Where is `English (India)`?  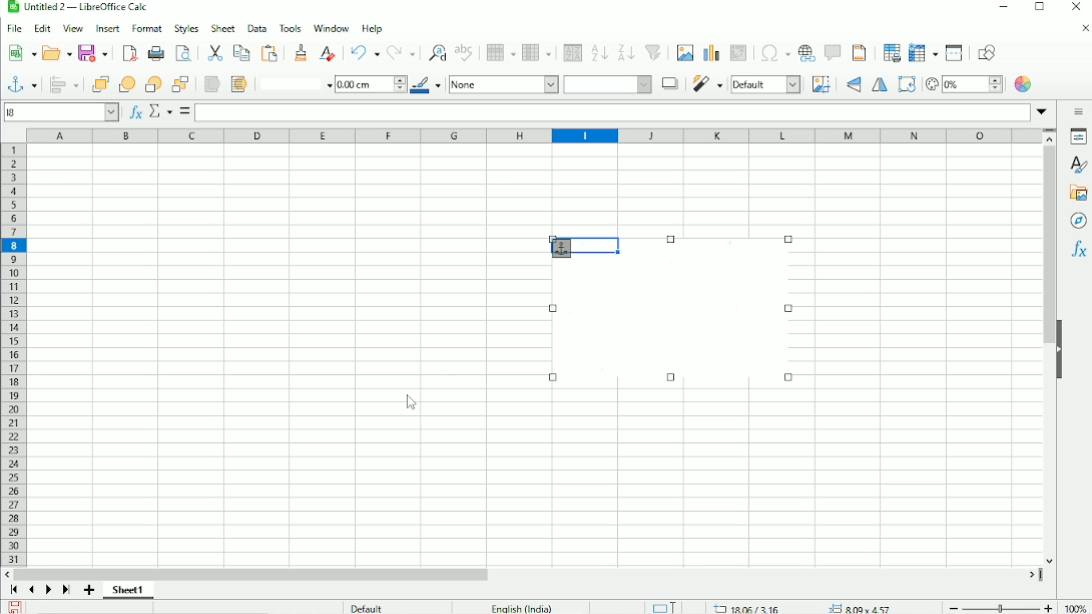
English (India) is located at coordinates (519, 606).